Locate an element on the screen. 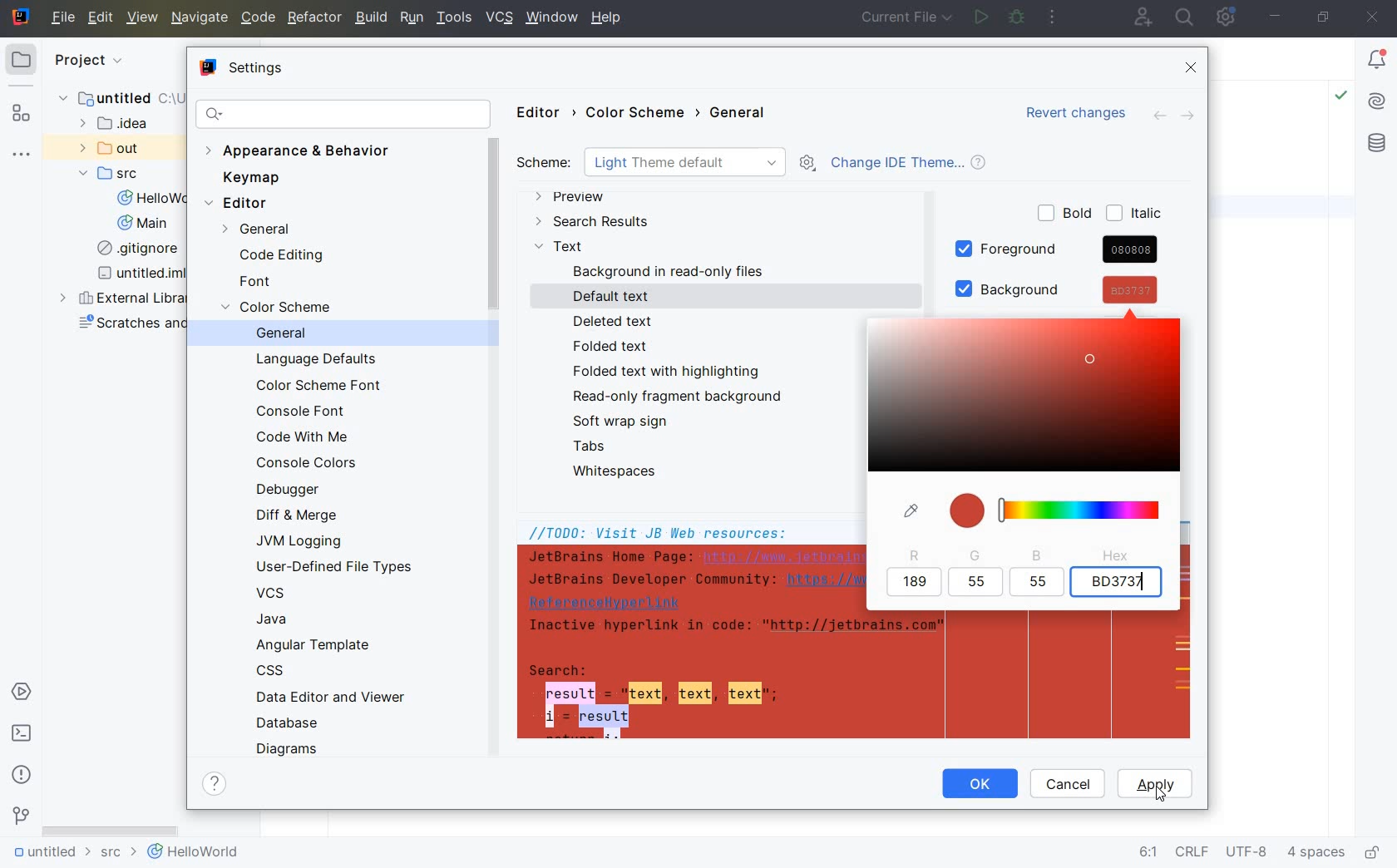 This screenshot has height=868, width=1397. WHITESPACES is located at coordinates (619, 471).